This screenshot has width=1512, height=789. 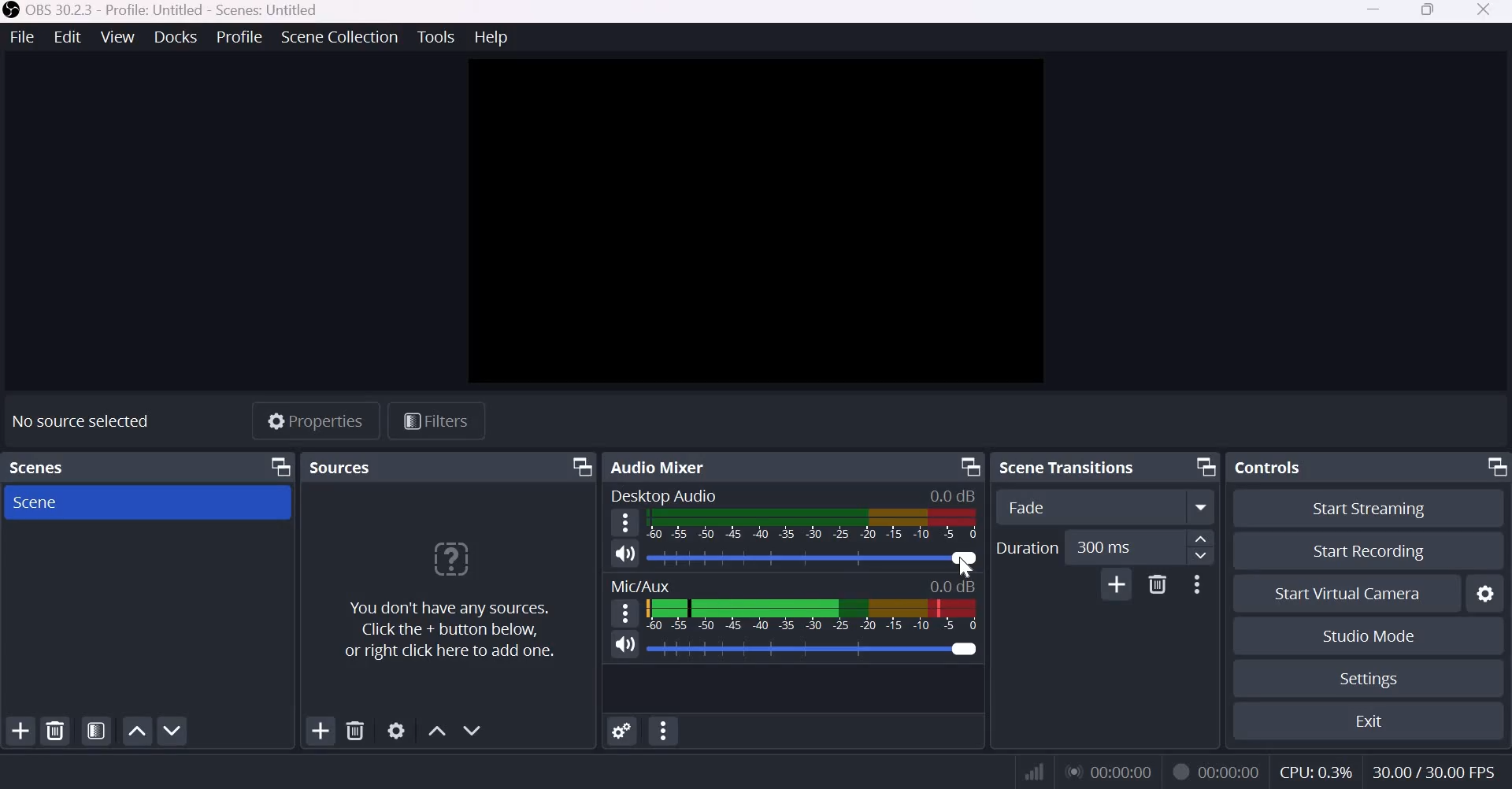 What do you see at coordinates (24, 38) in the screenshot?
I see `File` at bounding box center [24, 38].